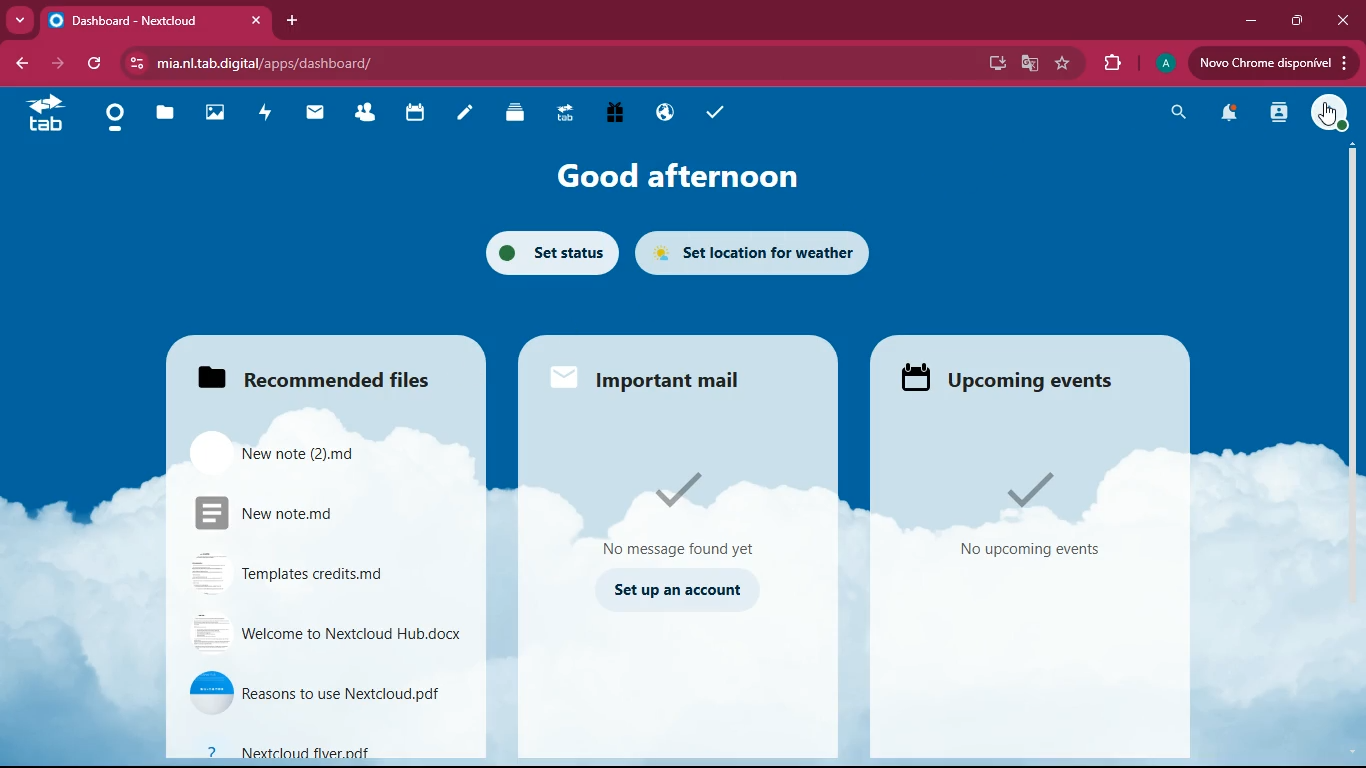  I want to click on important mail, so click(649, 378).